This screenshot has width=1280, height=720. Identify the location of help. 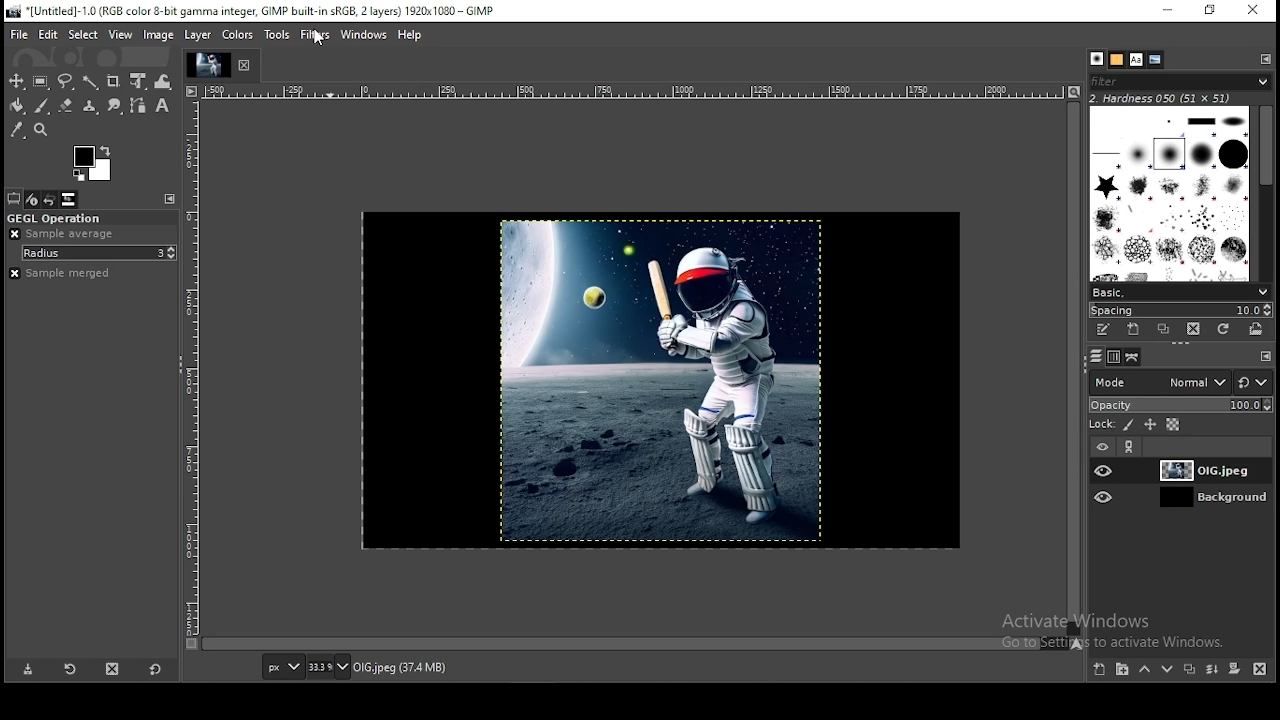
(410, 34).